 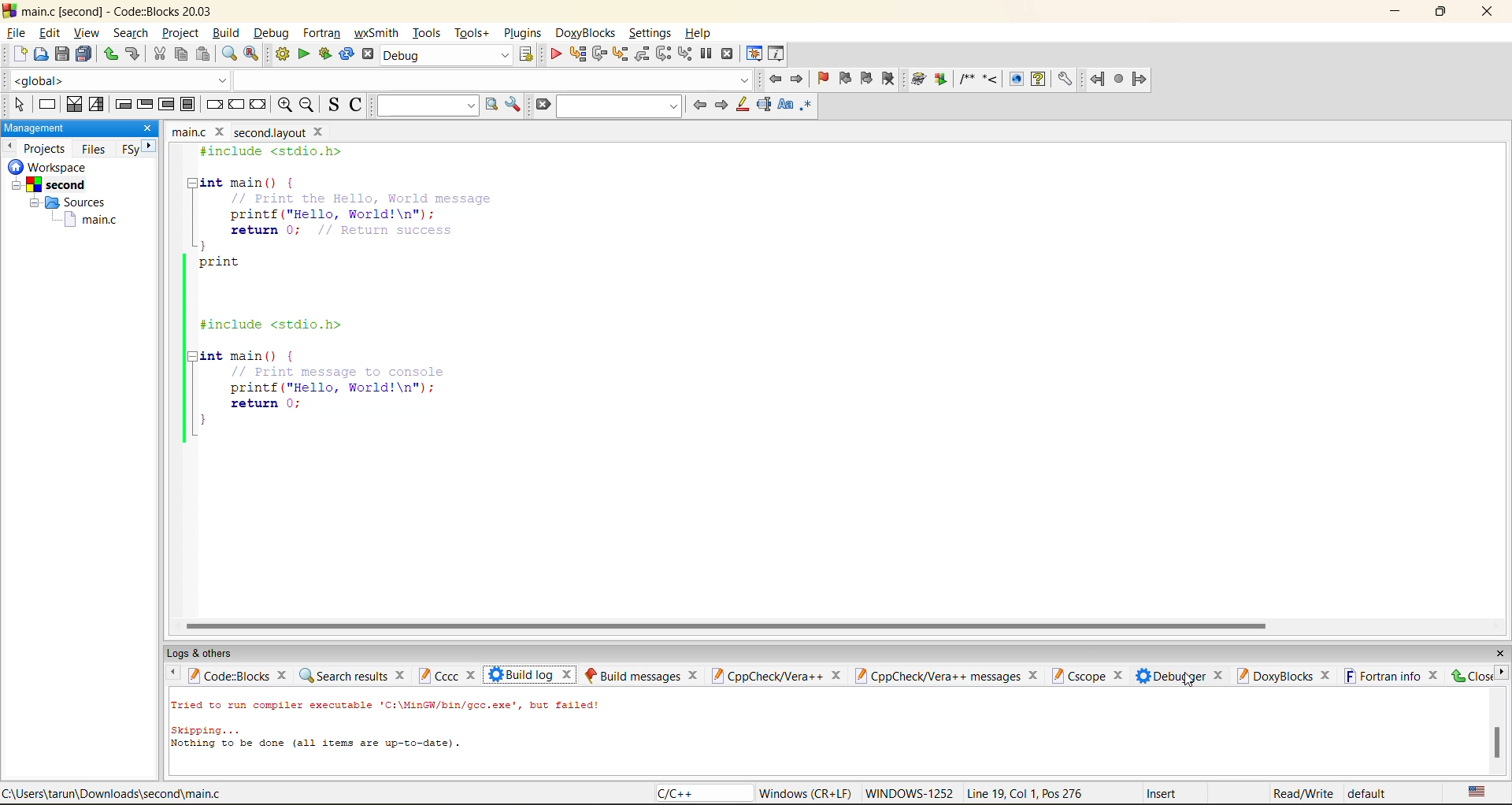 What do you see at coordinates (95, 106) in the screenshot?
I see `selection` at bounding box center [95, 106].